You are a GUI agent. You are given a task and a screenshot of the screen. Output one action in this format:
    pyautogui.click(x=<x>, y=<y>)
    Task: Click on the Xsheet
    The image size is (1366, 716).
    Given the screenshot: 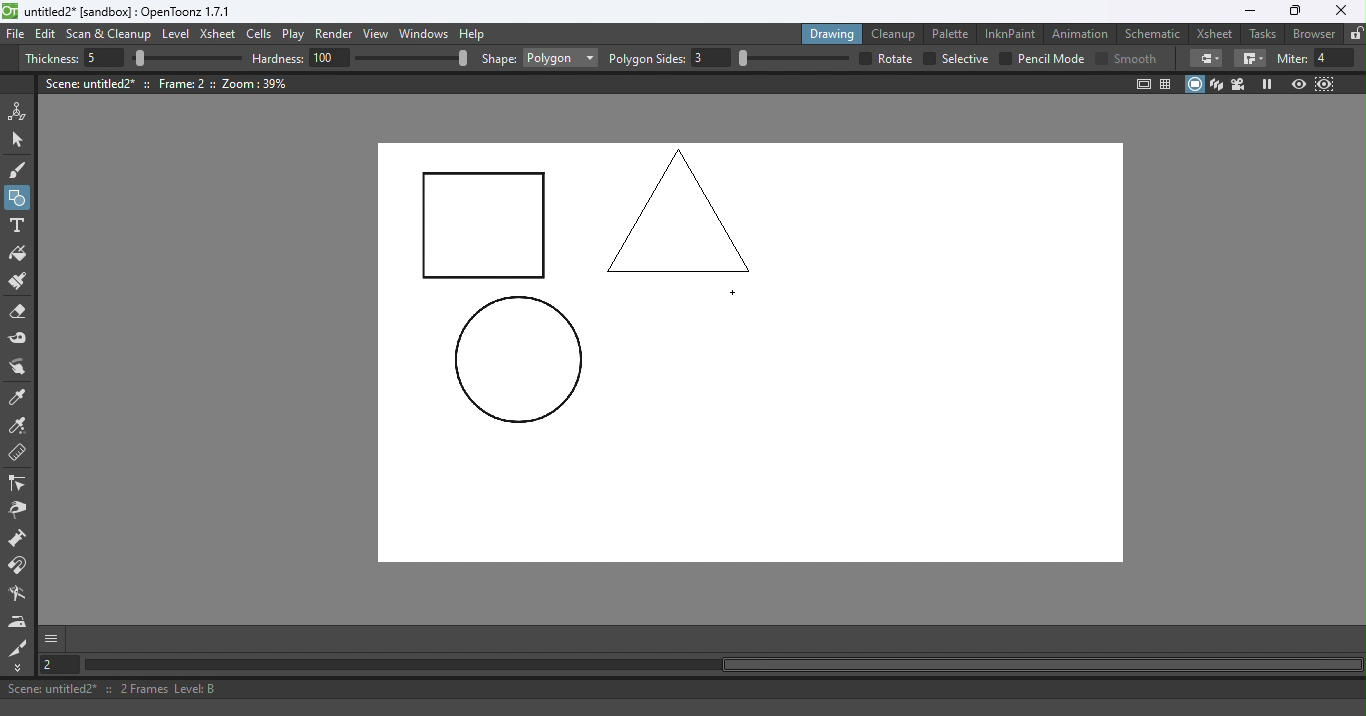 What is the action you would take?
    pyautogui.click(x=1217, y=33)
    